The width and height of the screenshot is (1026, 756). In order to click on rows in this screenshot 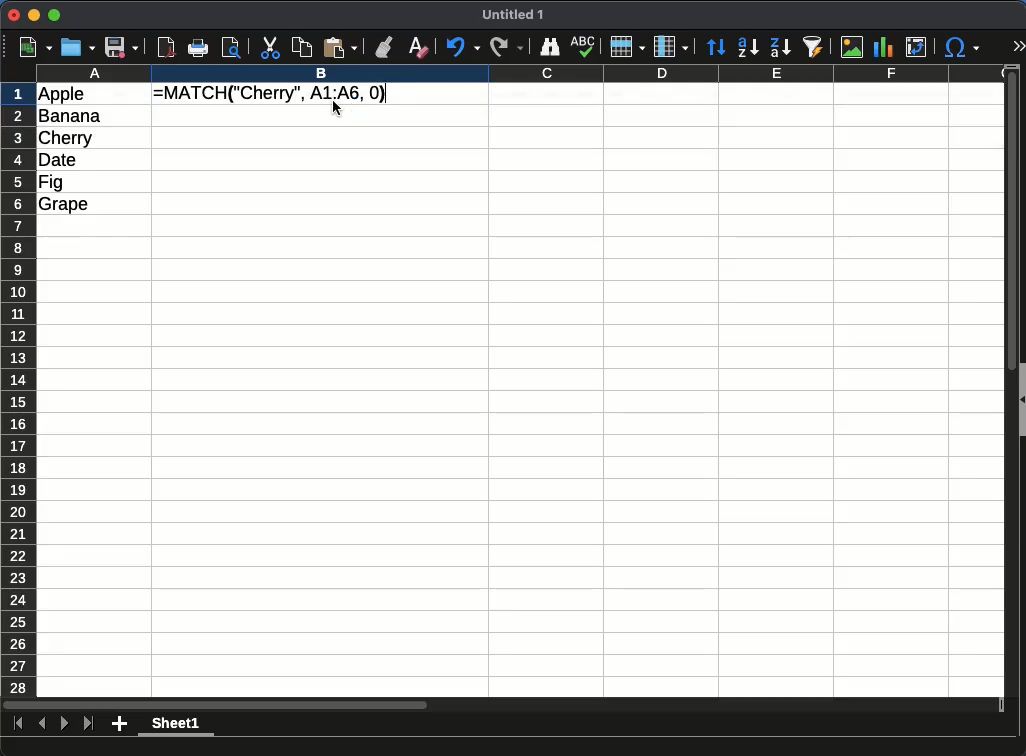, I will do `click(19, 390)`.